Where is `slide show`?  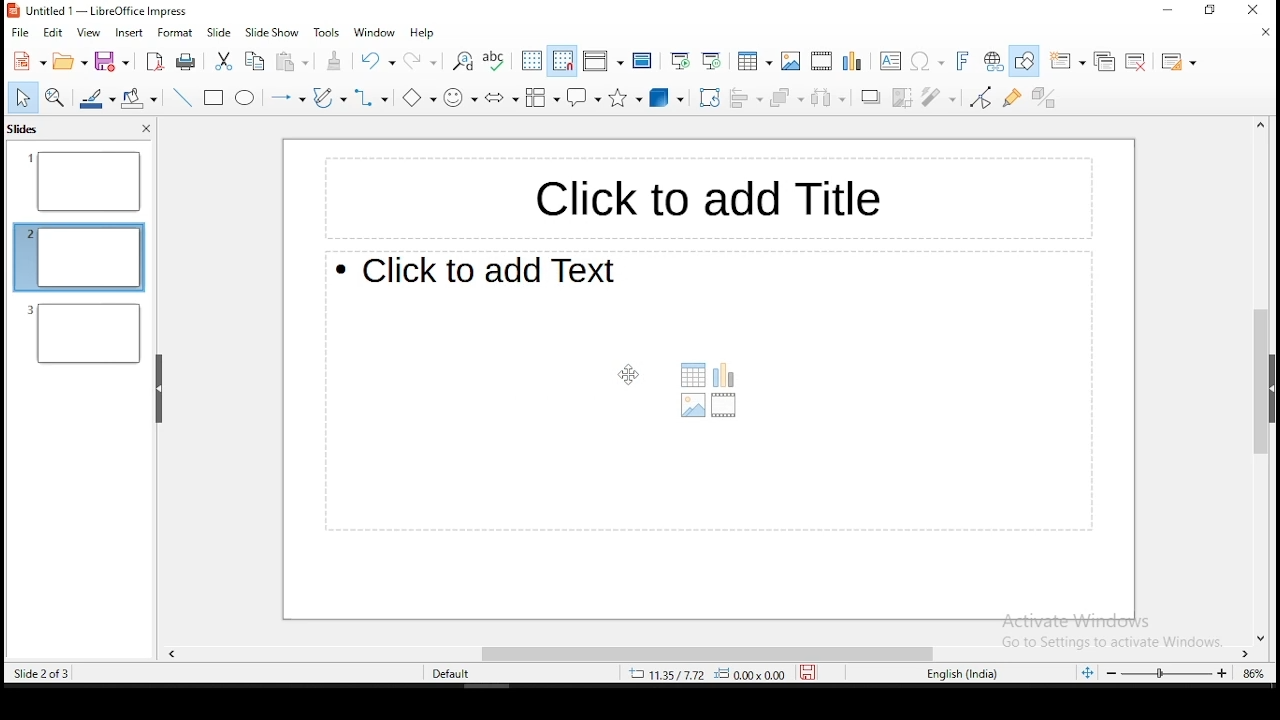
slide show is located at coordinates (272, 34).